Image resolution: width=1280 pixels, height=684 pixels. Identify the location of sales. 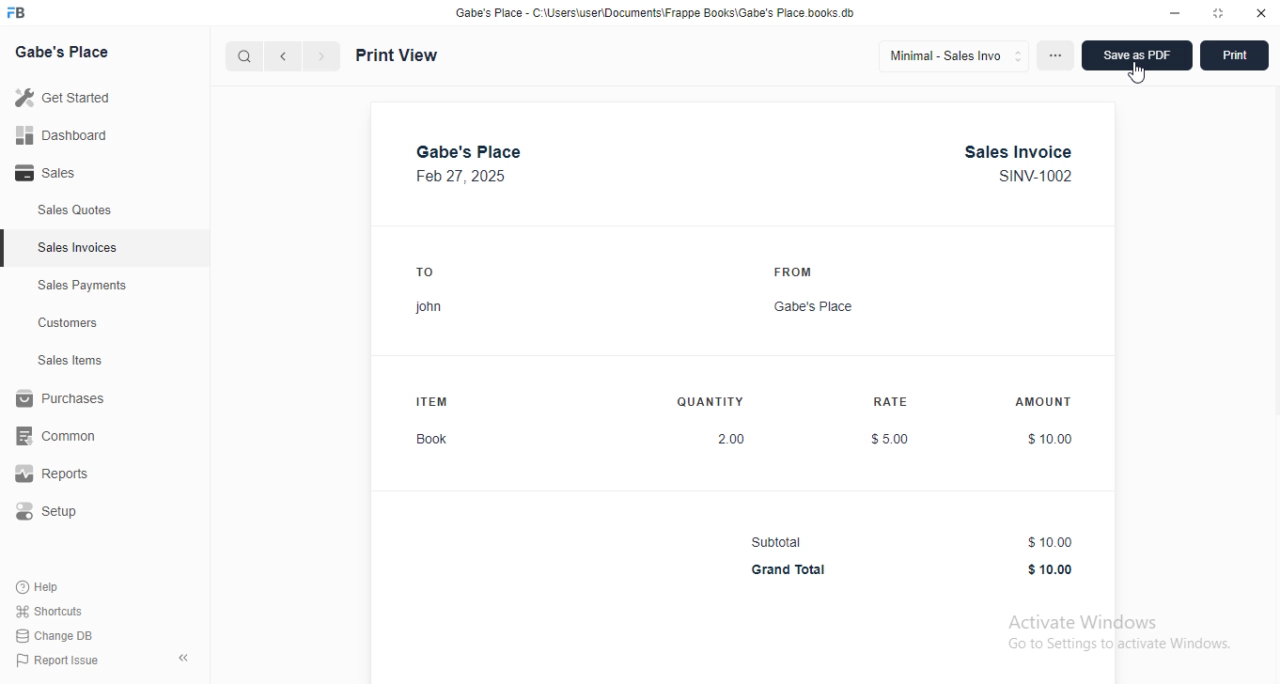
(48, 172).